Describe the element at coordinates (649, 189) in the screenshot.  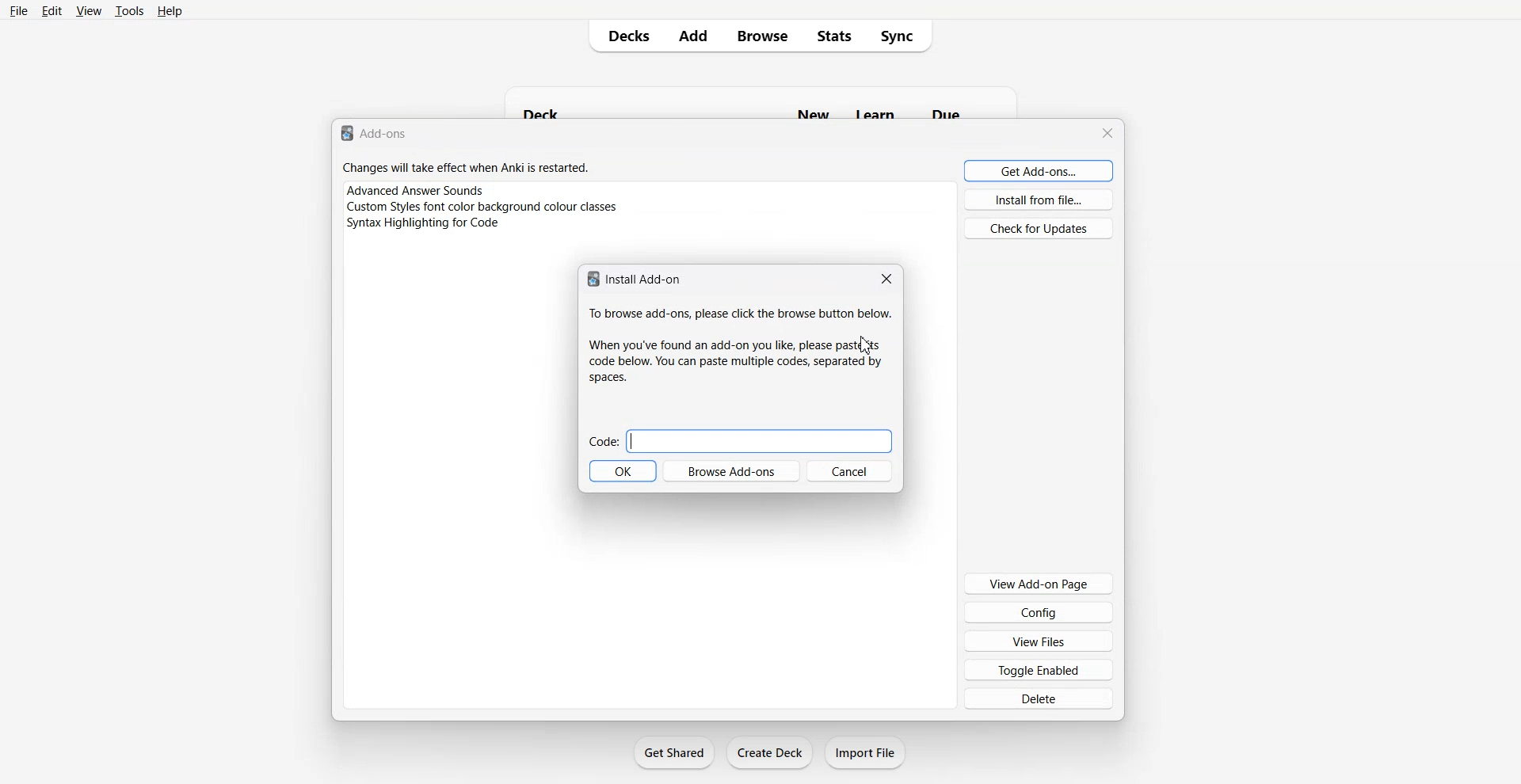
I see `Plugins` at that location.